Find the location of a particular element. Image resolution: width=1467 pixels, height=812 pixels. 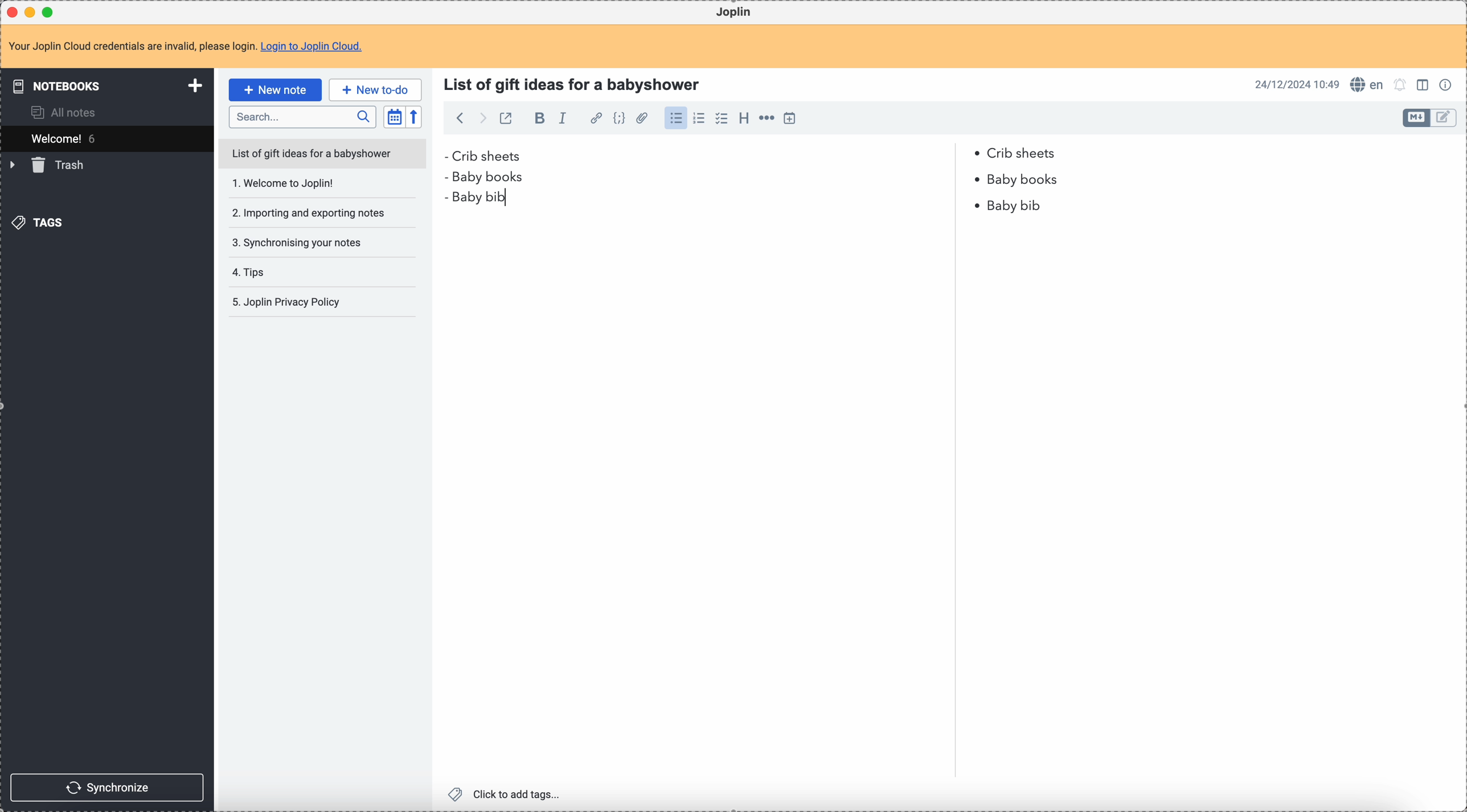

click to add tags is located at coordinates (505, 794).